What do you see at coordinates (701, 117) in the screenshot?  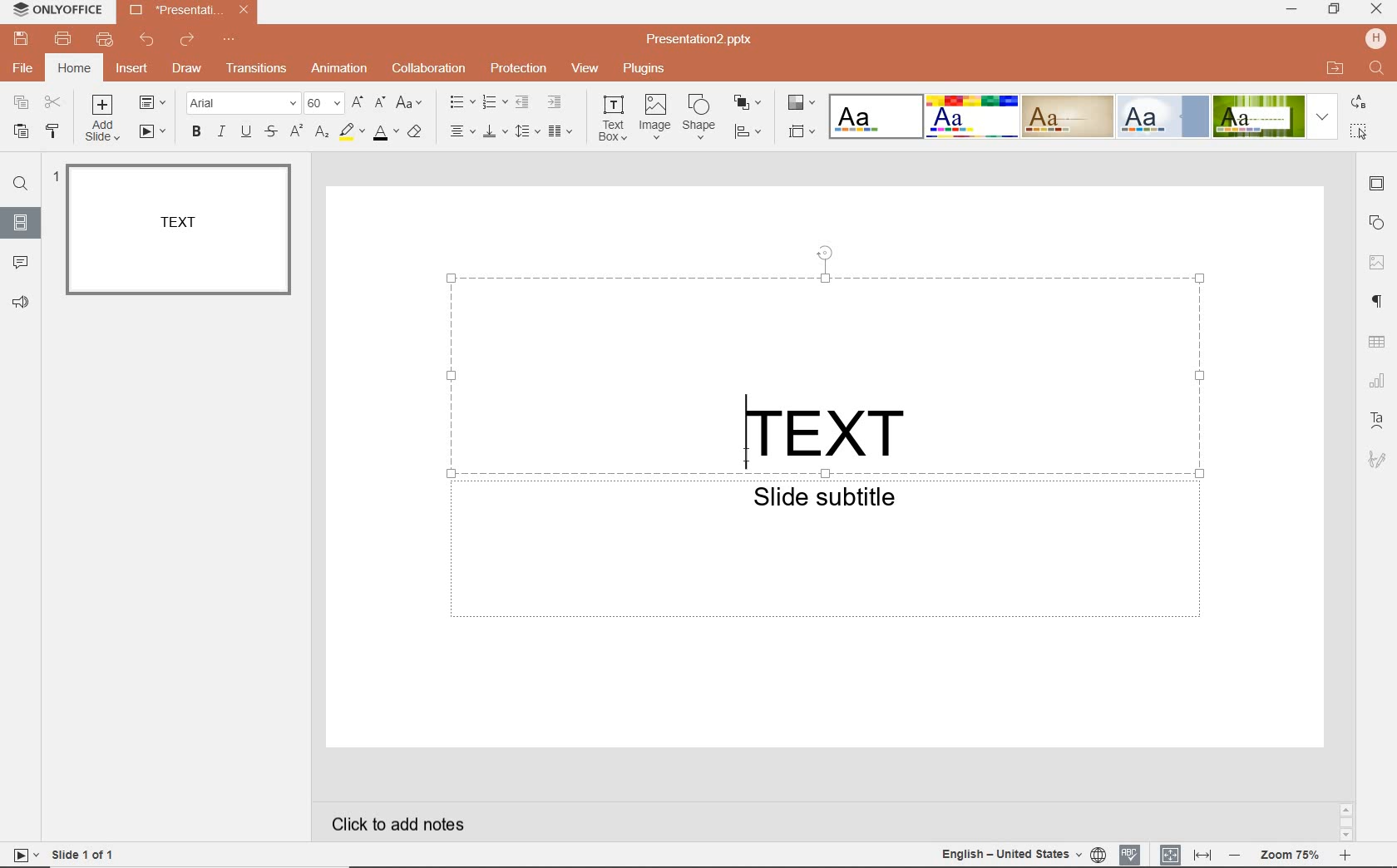 I see `shape` at bounding box center [701, 117].